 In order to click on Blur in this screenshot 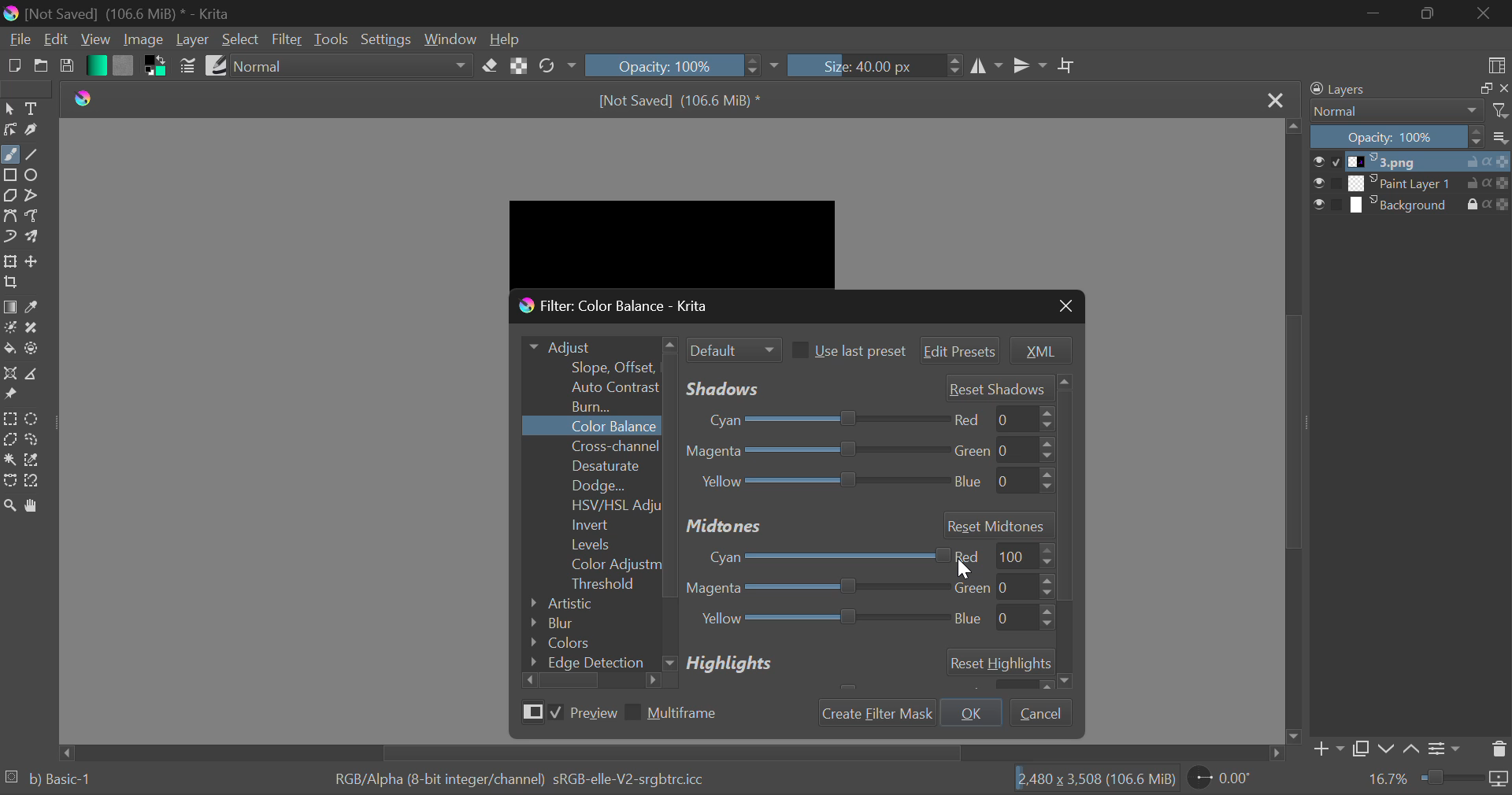, I will do `click(584, 624)`.